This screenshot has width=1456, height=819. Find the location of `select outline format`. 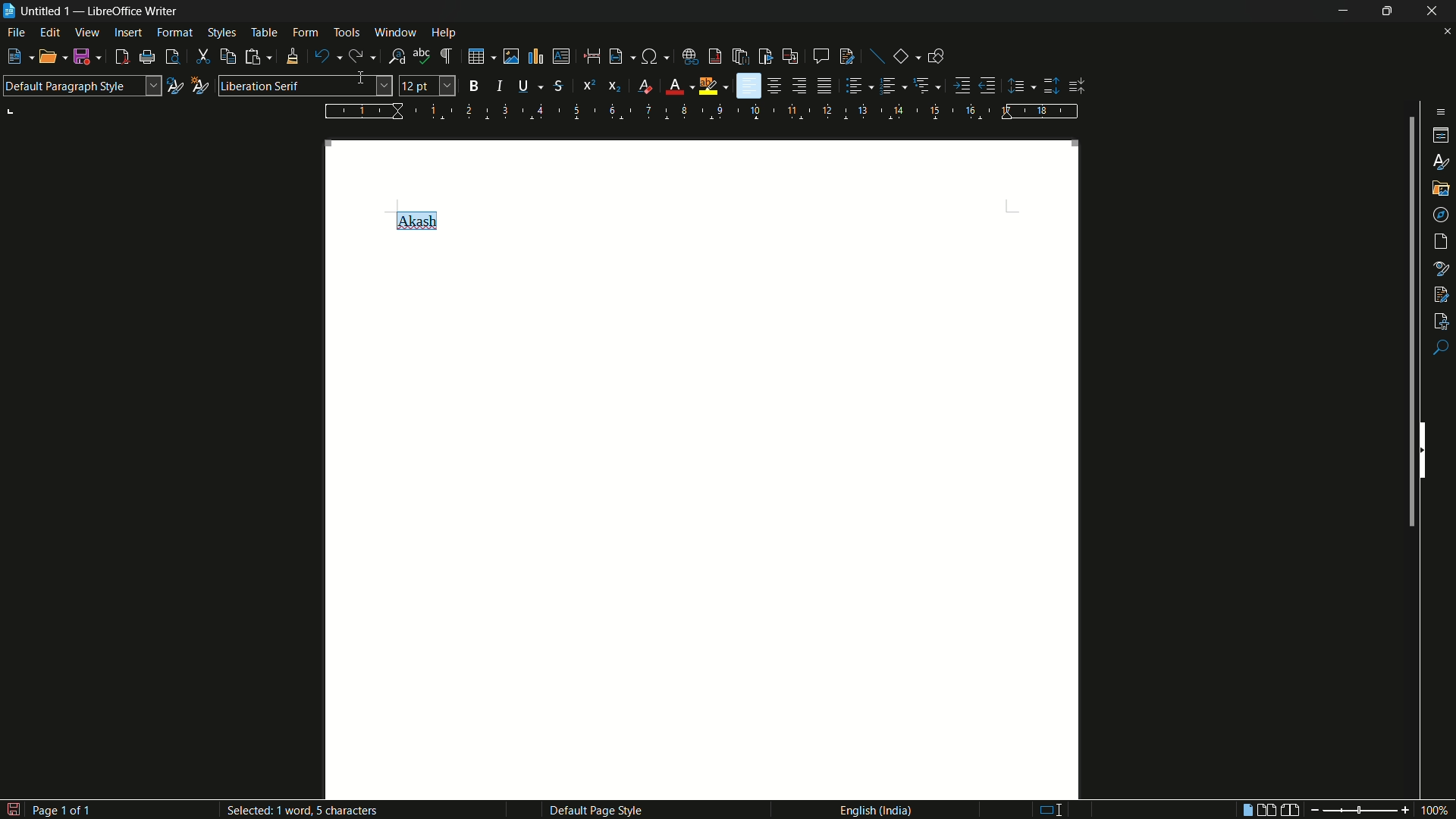

select outline format is located at coordinates (923, 85).